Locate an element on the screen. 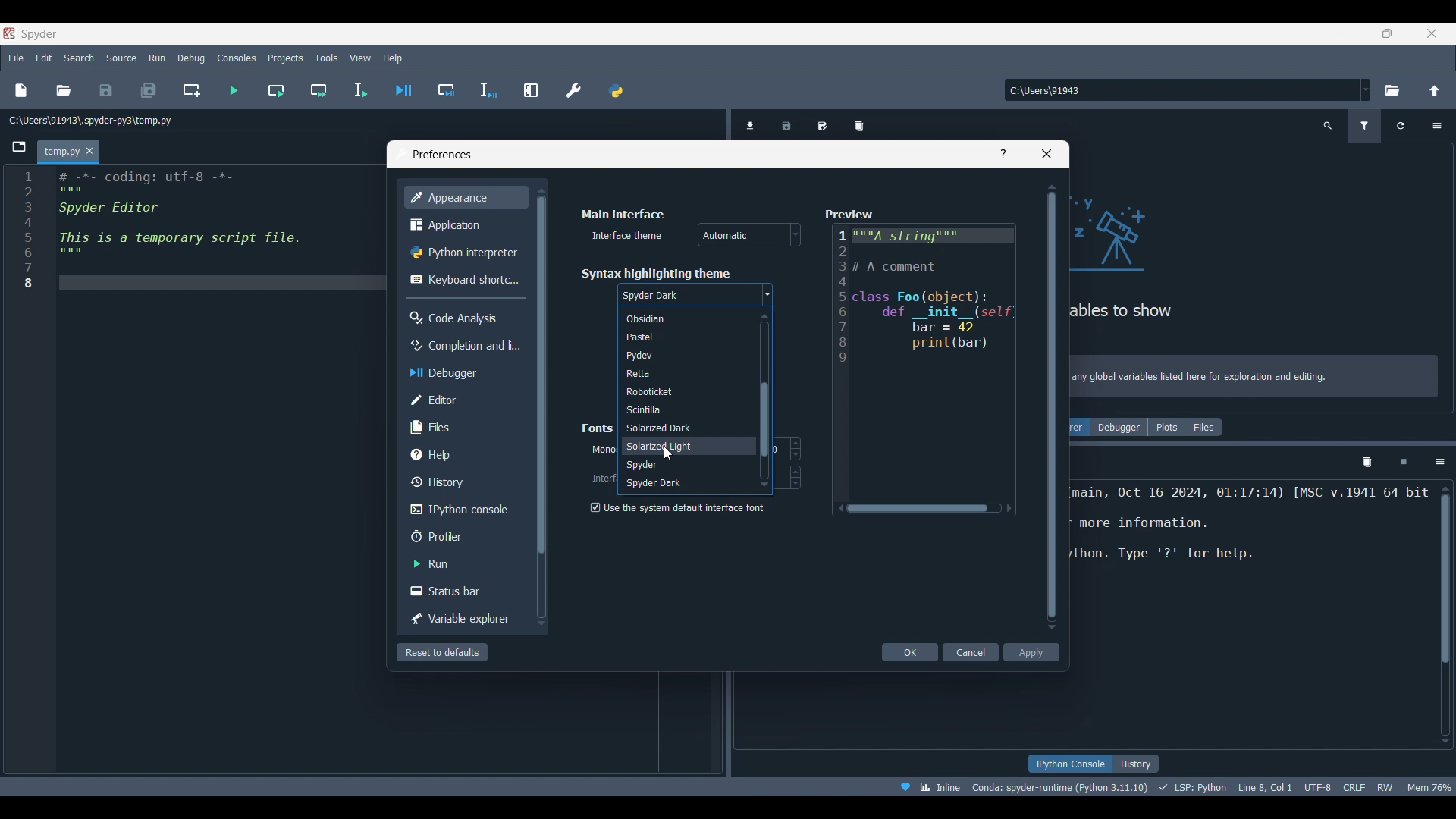 The width and height of the screenshot is (1456, 819). Help is located at coordinates (1003, 154).